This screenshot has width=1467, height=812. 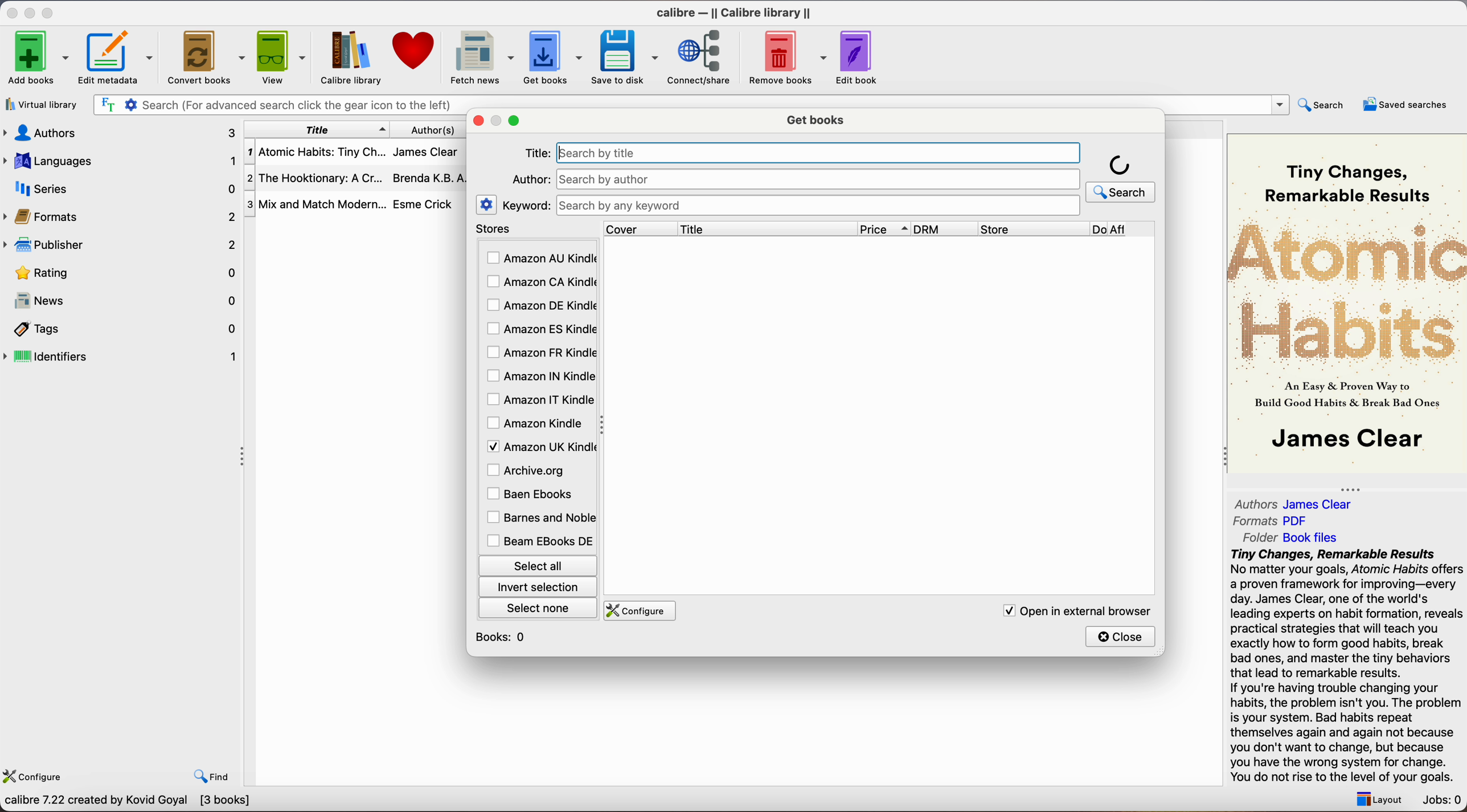 I want to click on Amazon IN Kindle, so click(x=539, y=375).